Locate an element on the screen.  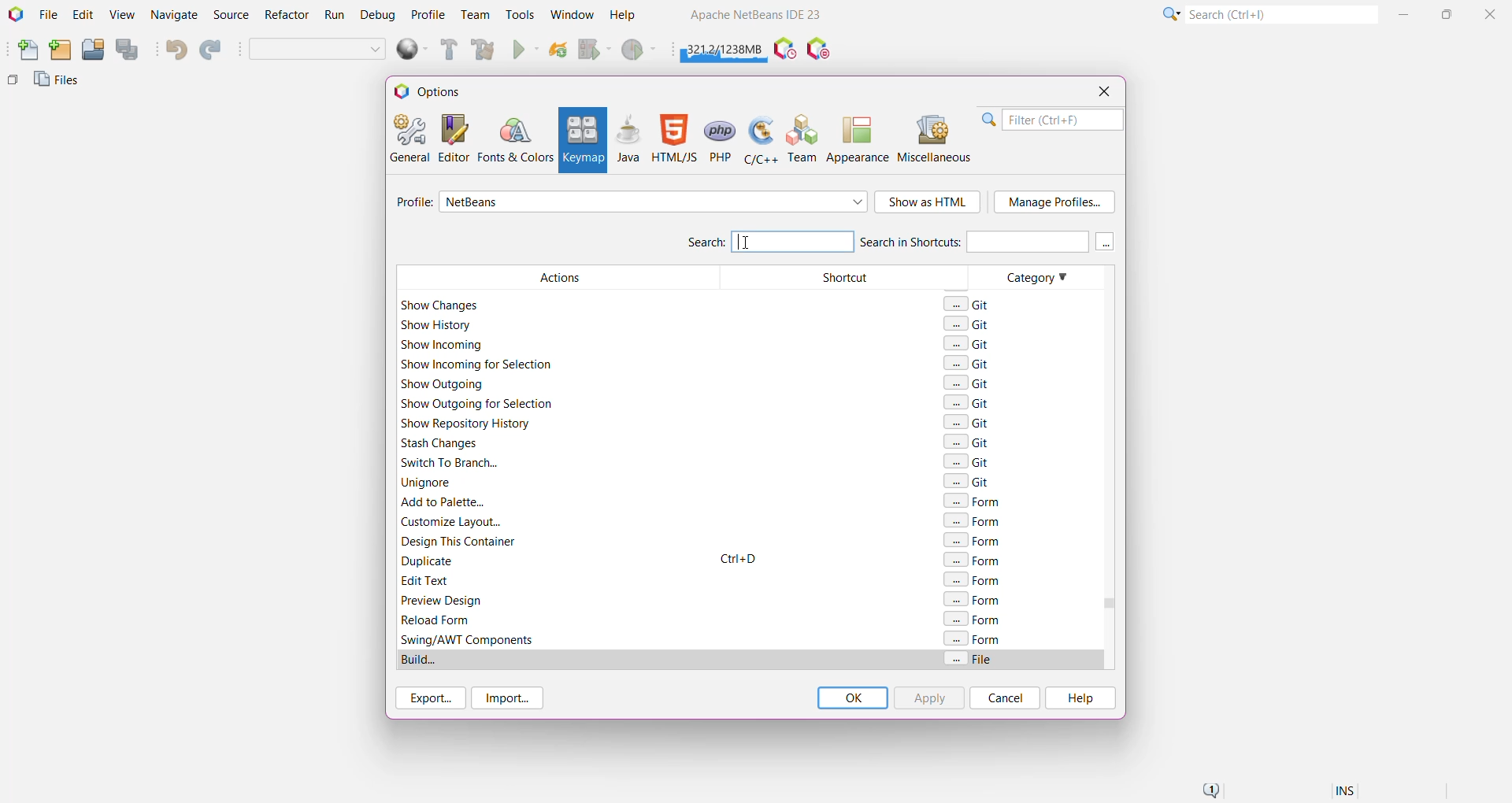
 is located at coordinates (412, 50).